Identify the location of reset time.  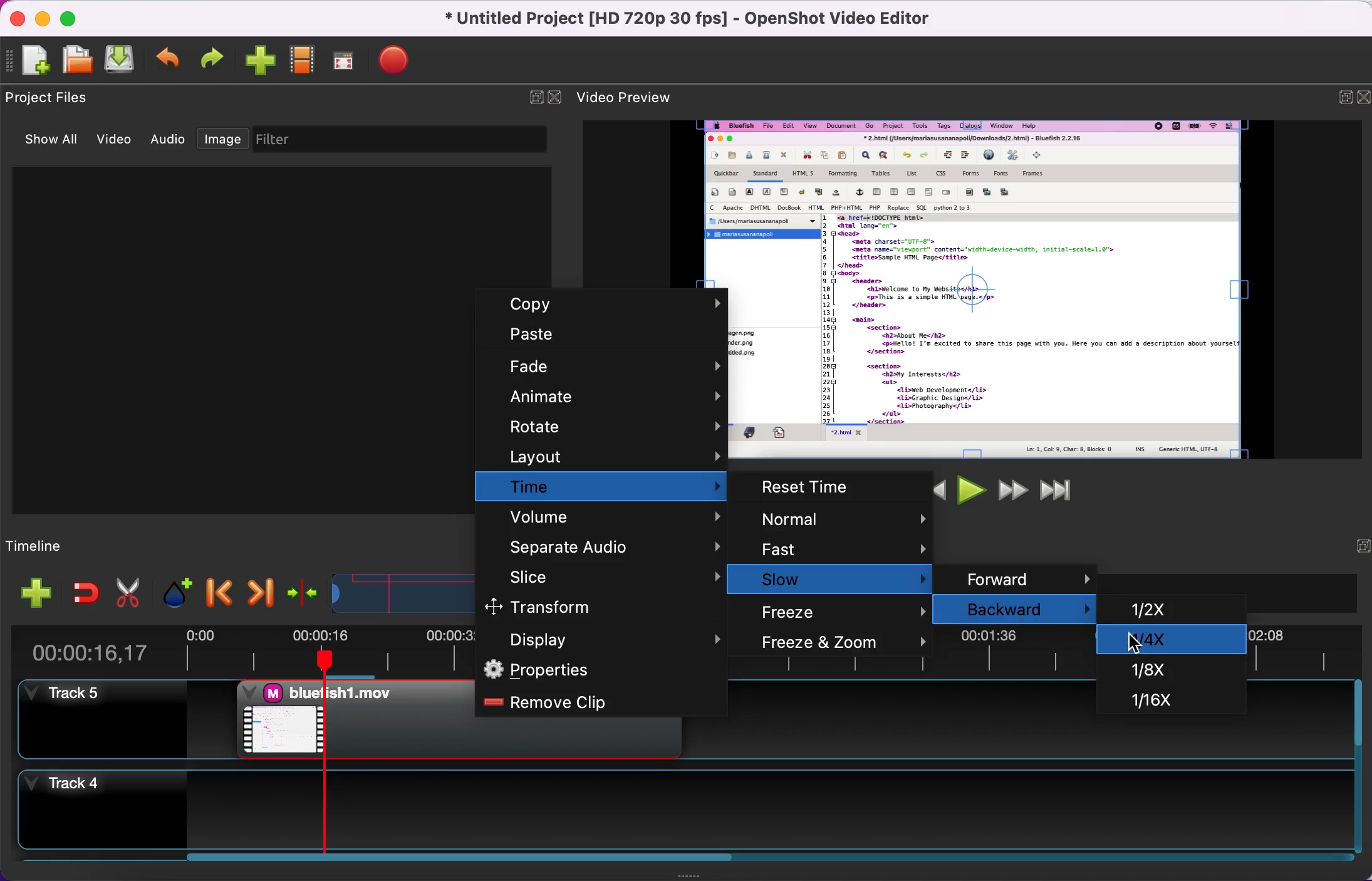
(842, 487).